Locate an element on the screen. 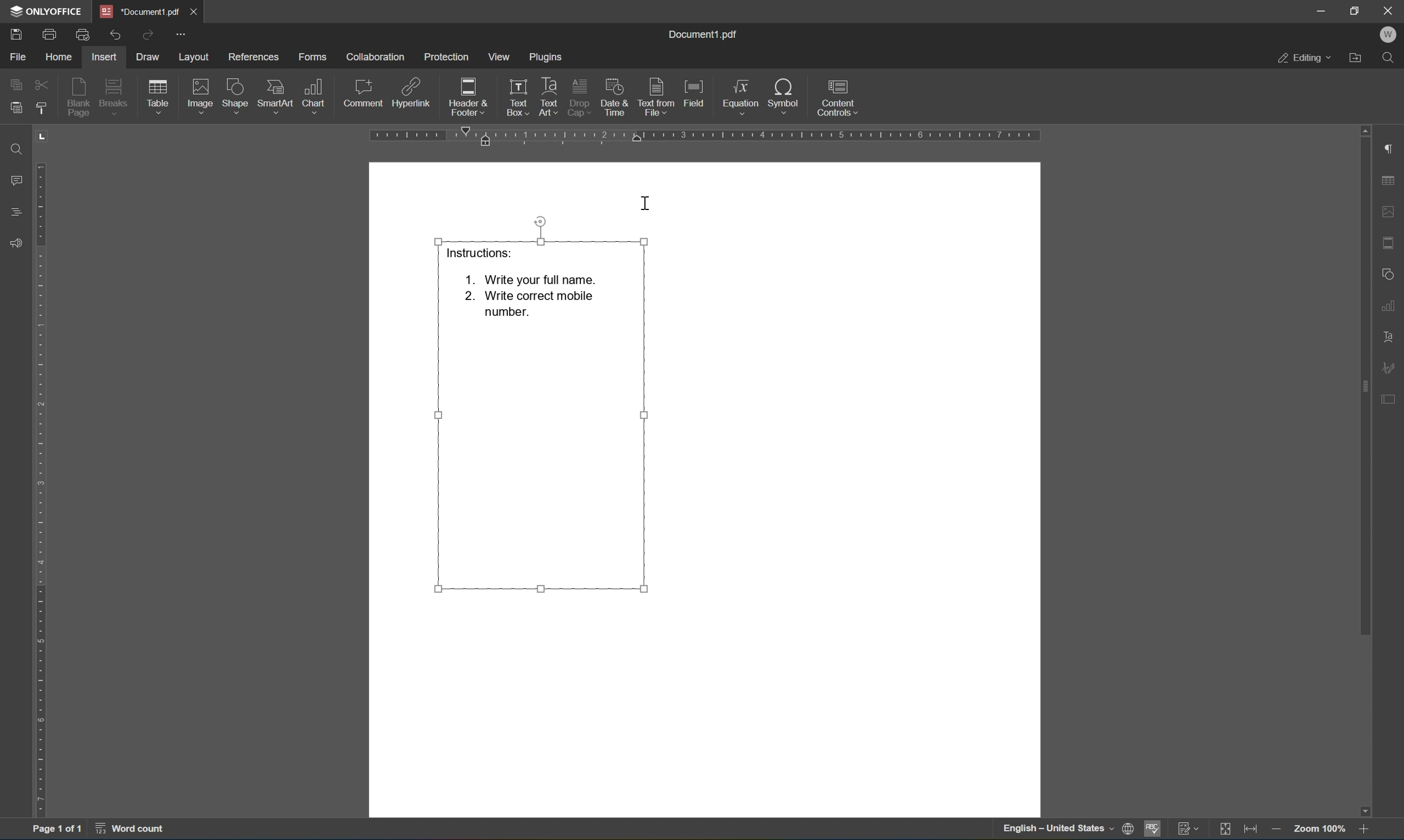 The height and width of the screenshot is (840, 1404). comment is located at coordinates (363, 96).